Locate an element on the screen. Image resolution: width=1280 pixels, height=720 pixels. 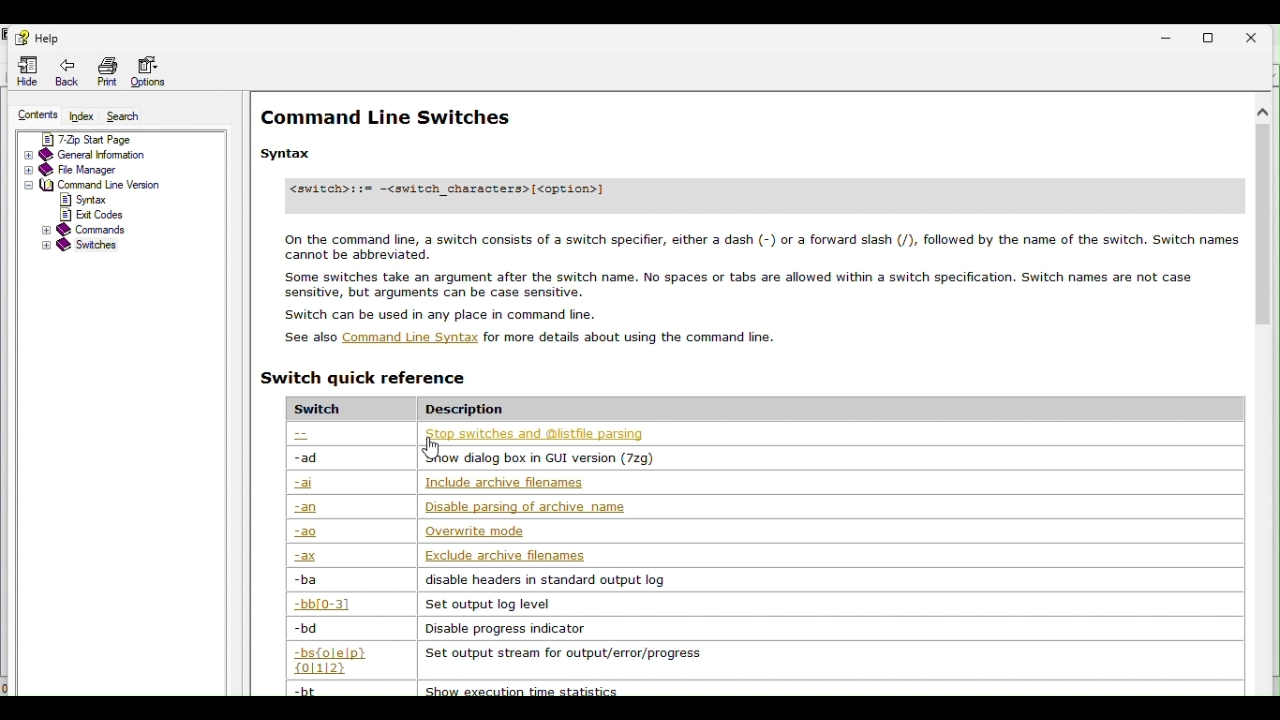
Commands is located at coordinates (95, 229).